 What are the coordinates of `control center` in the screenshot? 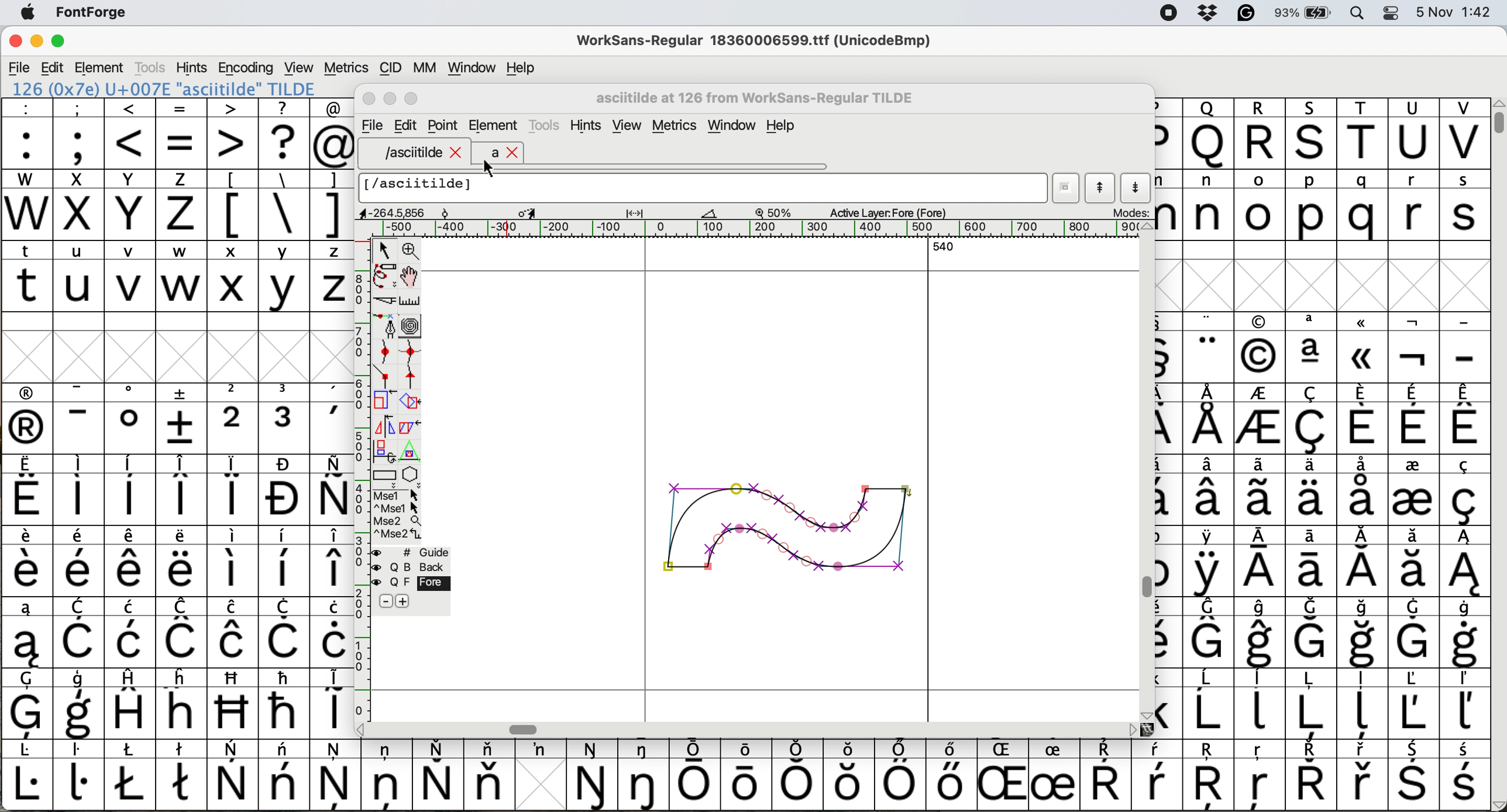 It's located at (1395, 12).